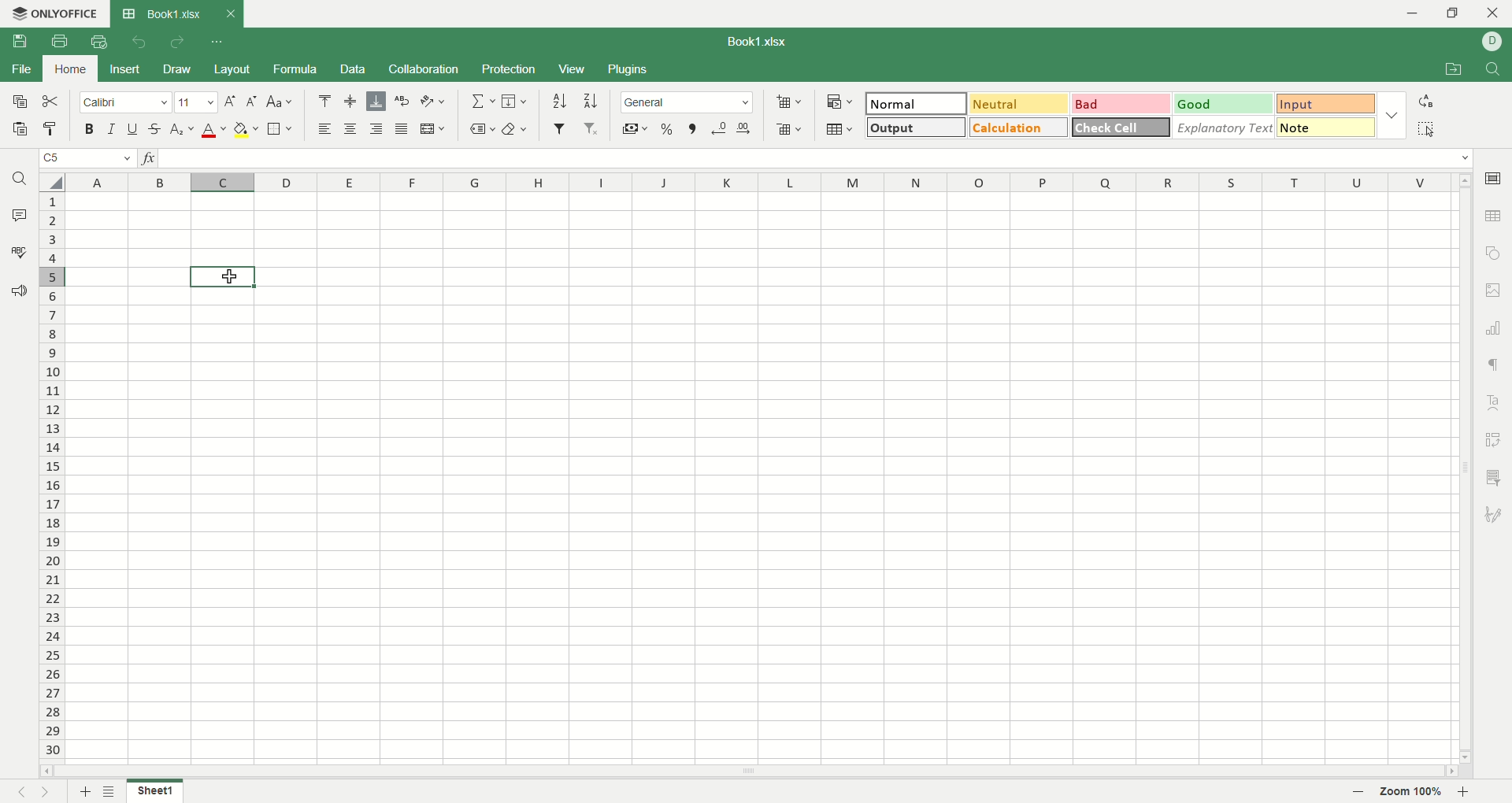 Image resolution: width=1512 pixels, height=803 pixels. I want to click on sheet, so click(758, 476).